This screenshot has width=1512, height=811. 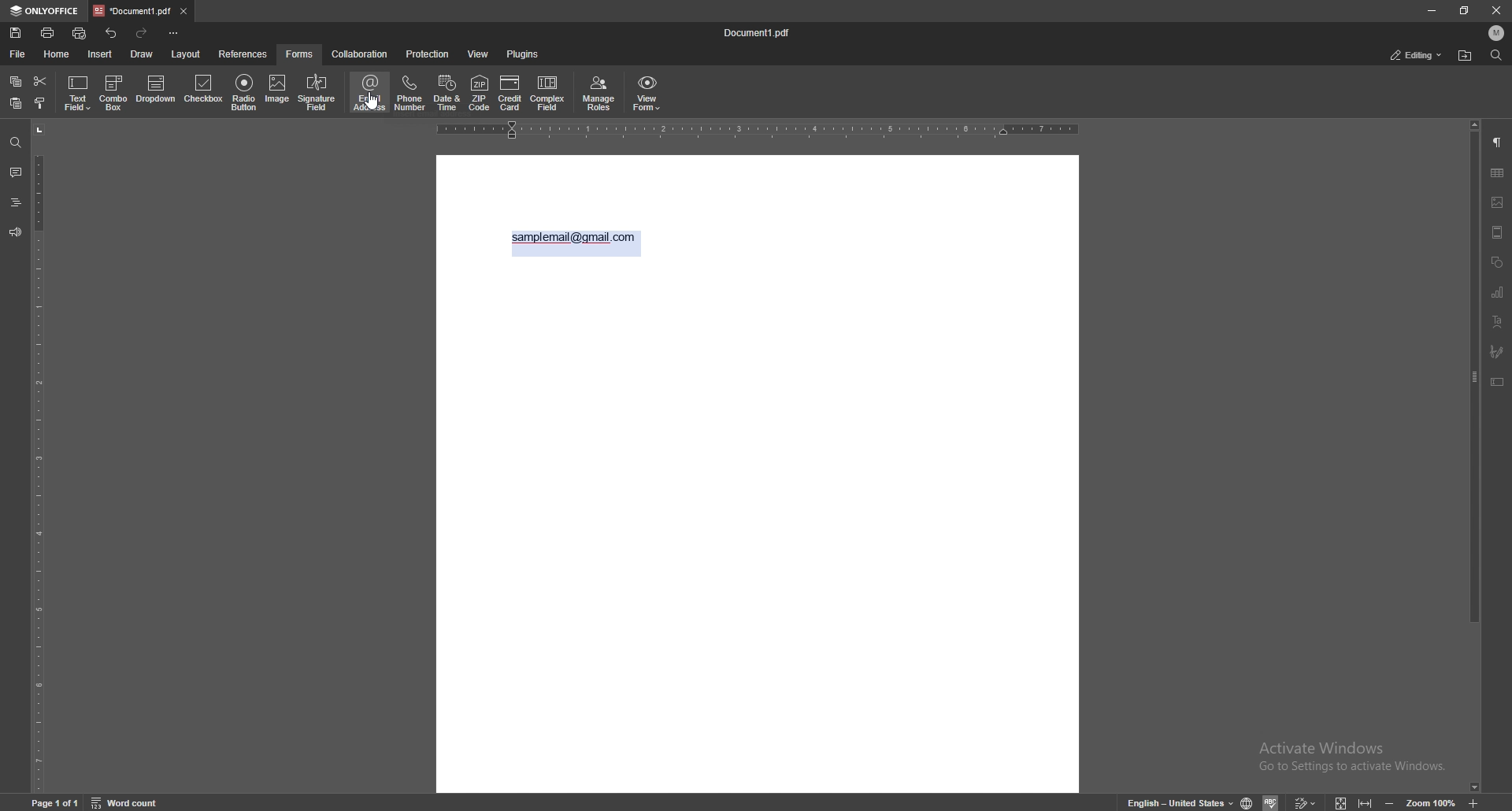 What do you see at coordinates (1497, 173) in the screenshot?
I see `table` at bounding box center [1497, 173].